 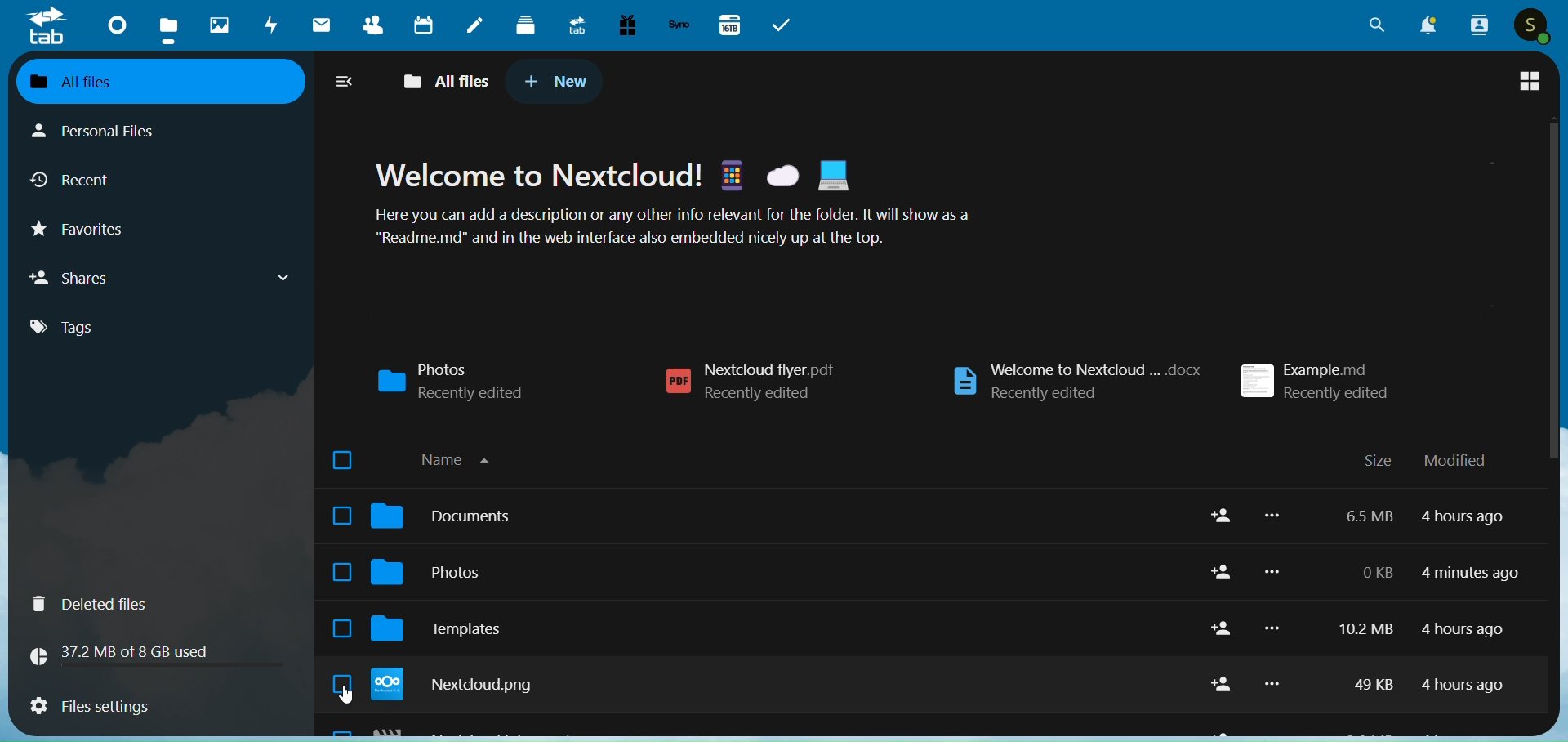 I want to click on all files, so click(x=163, y=83).